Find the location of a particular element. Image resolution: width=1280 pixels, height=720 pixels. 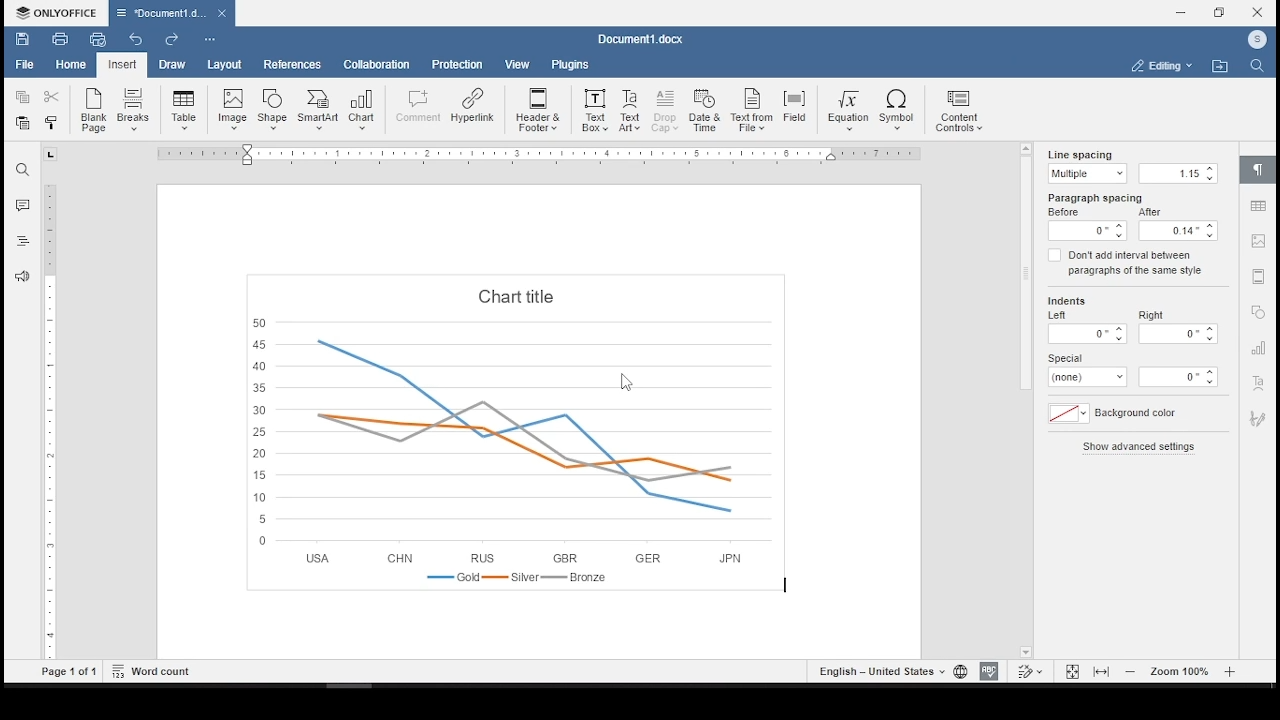

open file location is located at coordinates (1219, 67).